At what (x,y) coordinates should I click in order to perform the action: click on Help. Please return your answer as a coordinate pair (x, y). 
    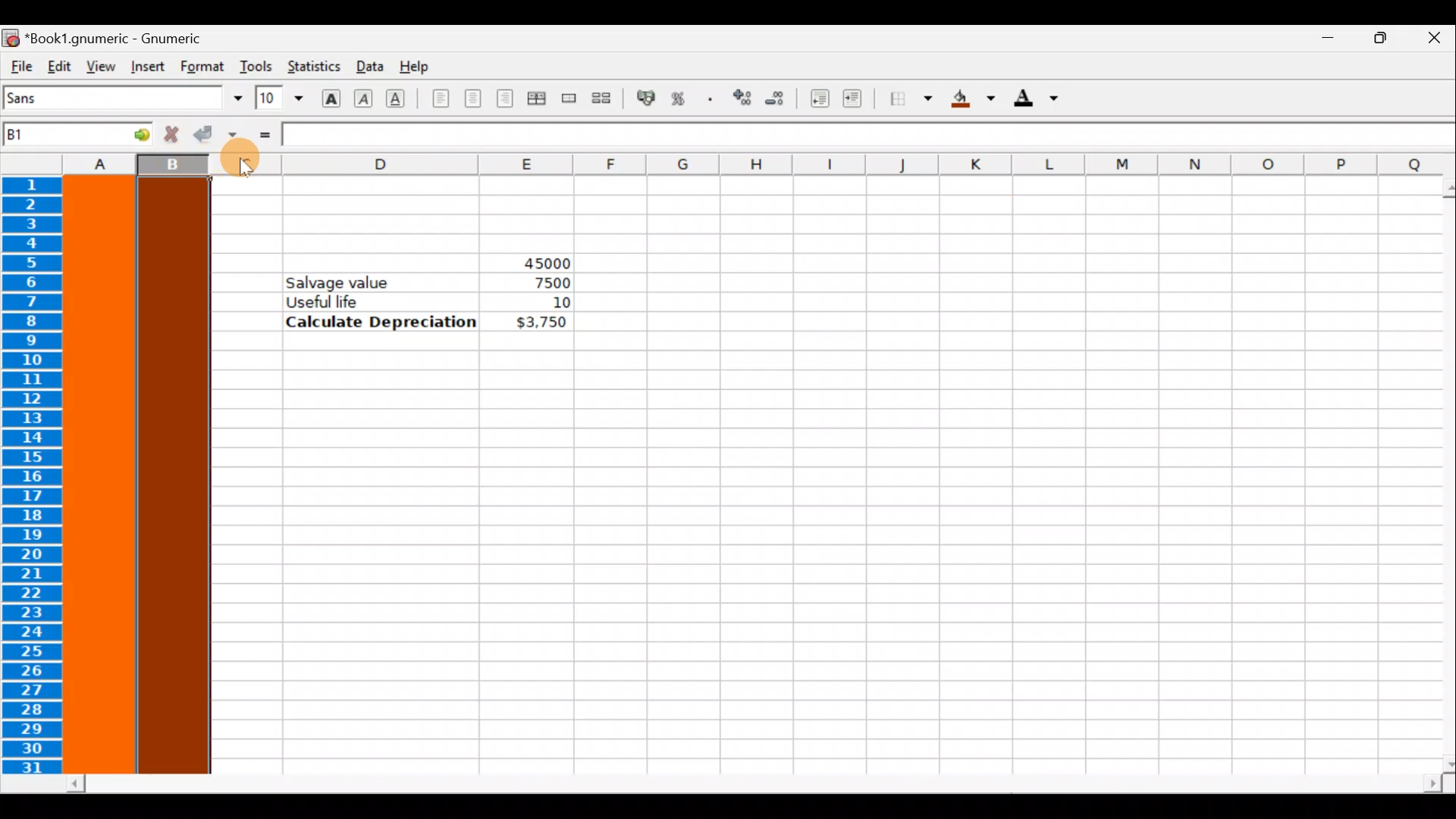
    Looking at the image, I should click on (419, 67).